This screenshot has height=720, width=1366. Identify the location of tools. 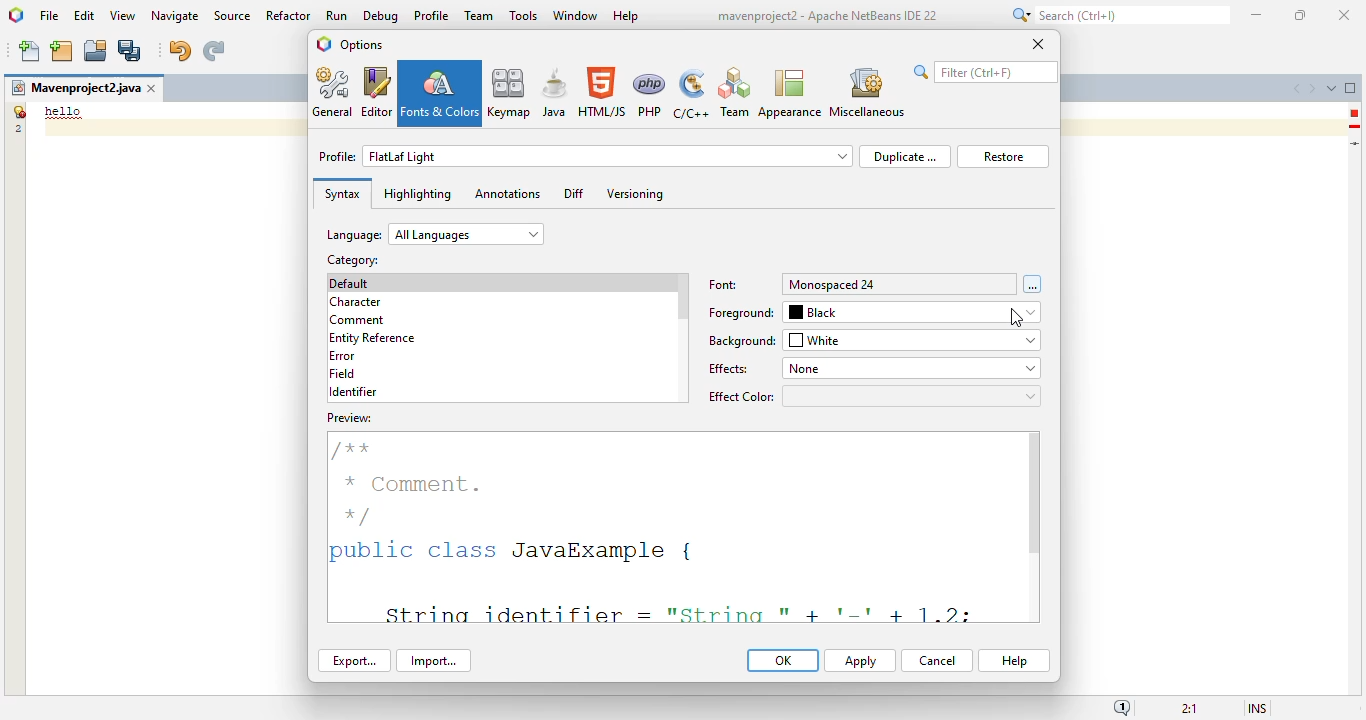
(523, 15).